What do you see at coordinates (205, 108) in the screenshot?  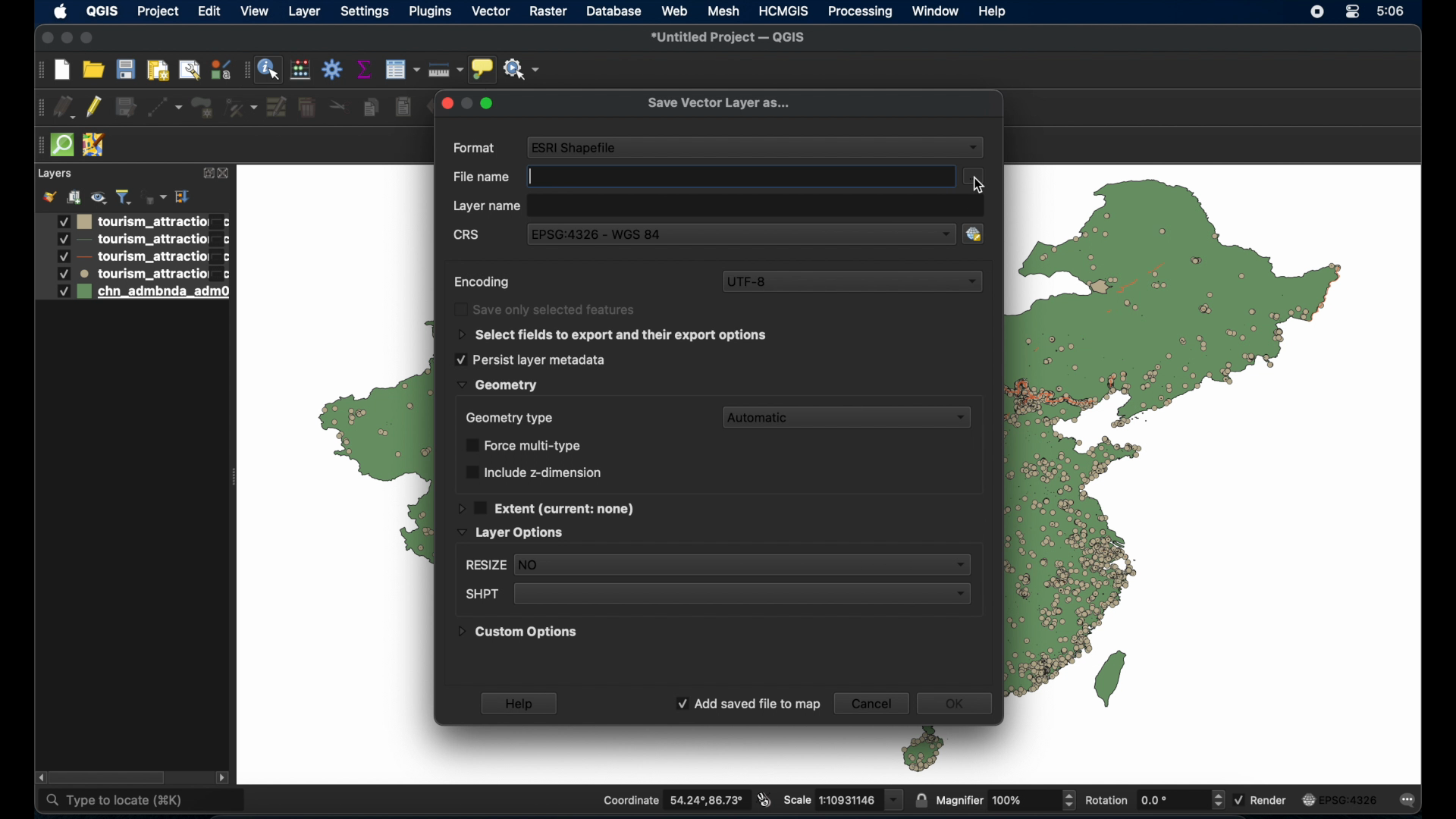 I see `add polygon feature` at bounding box center [205, 108].